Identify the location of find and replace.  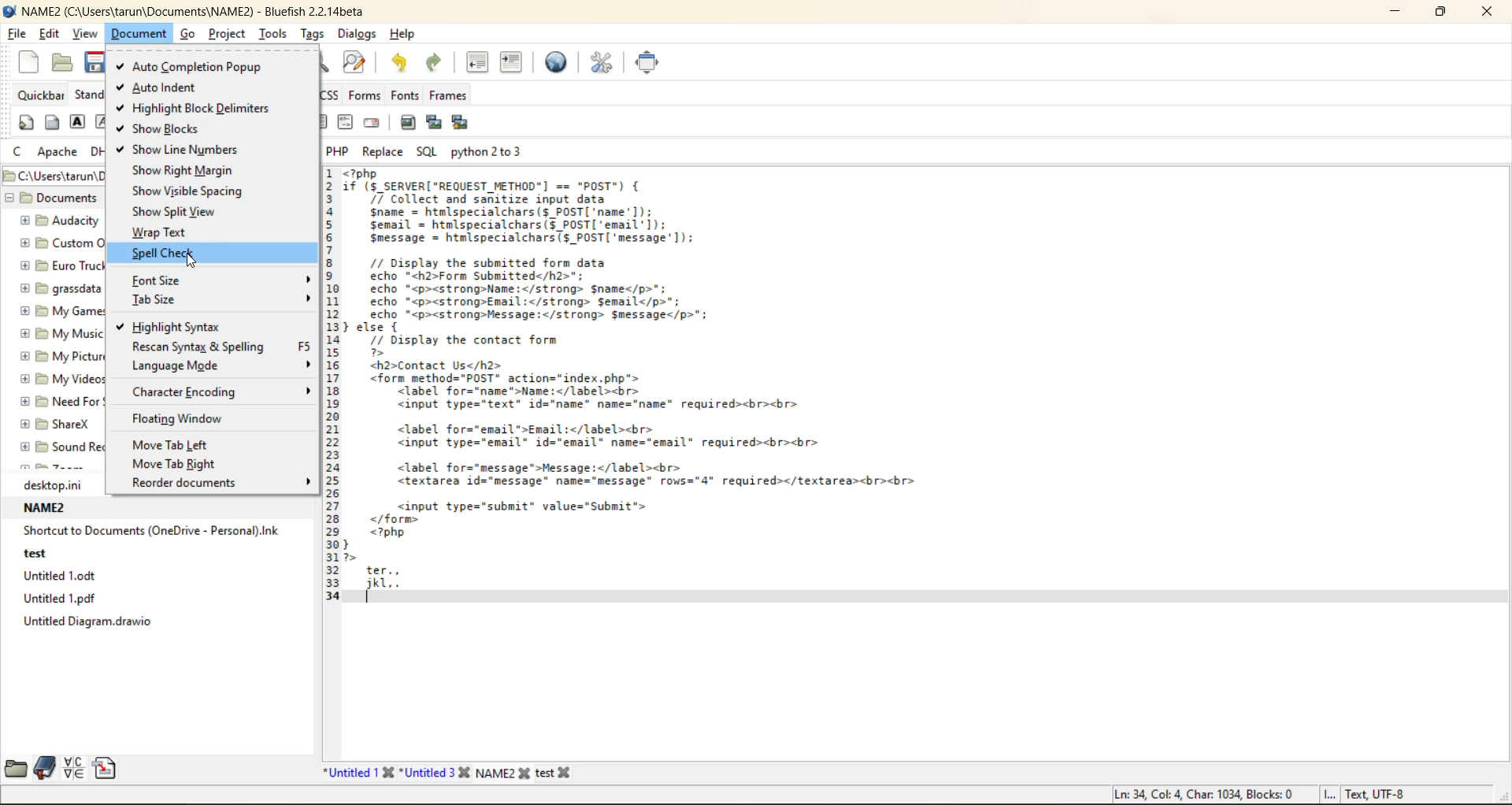
(355, 61).